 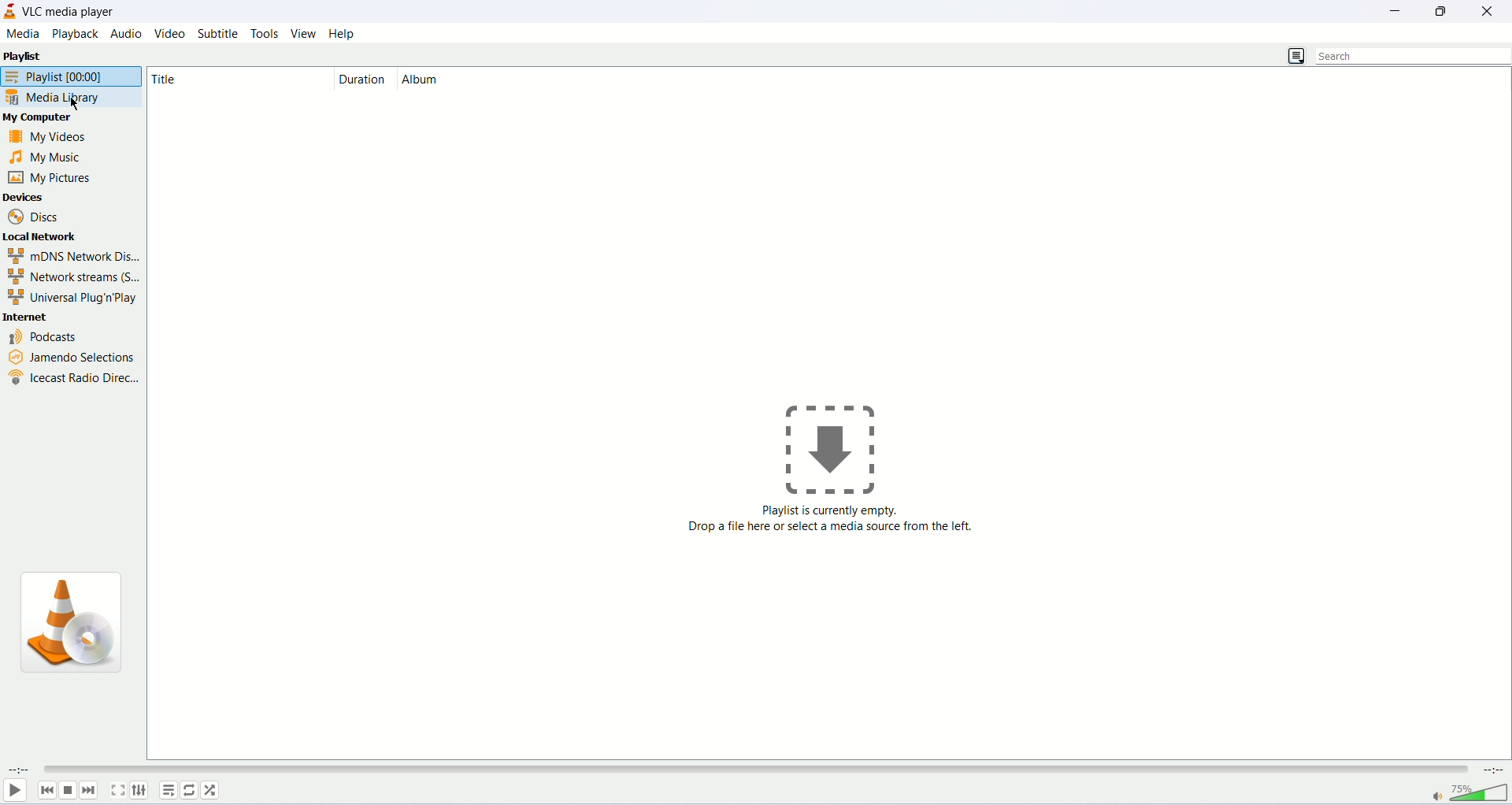 What do you see at coordinates (303, 33) in the screenshot?
I see `view` at bounding box center [303, 33].